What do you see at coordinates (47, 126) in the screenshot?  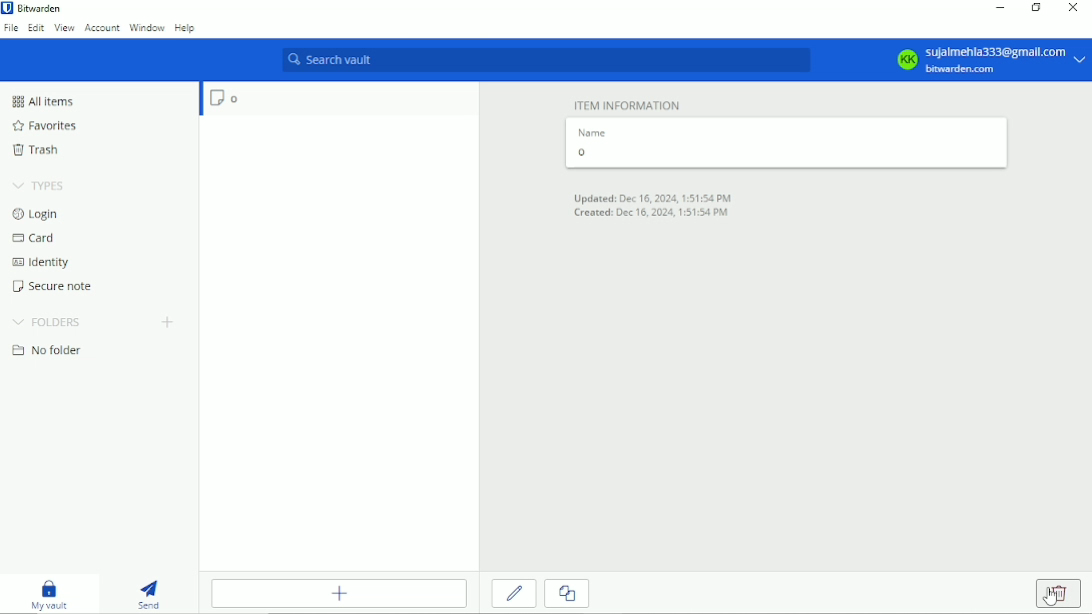 I see `Favorites` at bounding box center [47, 126].